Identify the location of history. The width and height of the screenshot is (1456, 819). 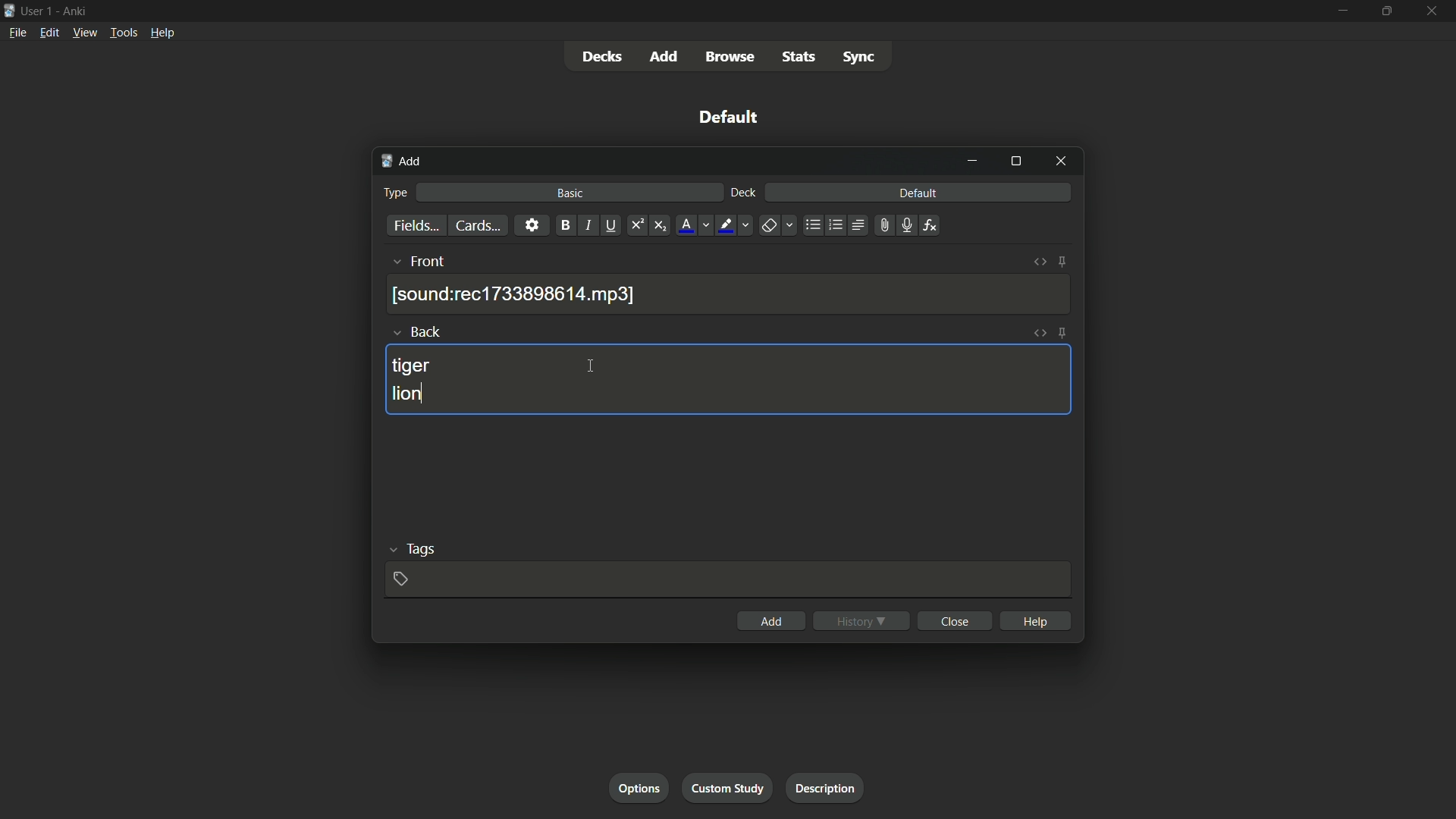
(861, 620).